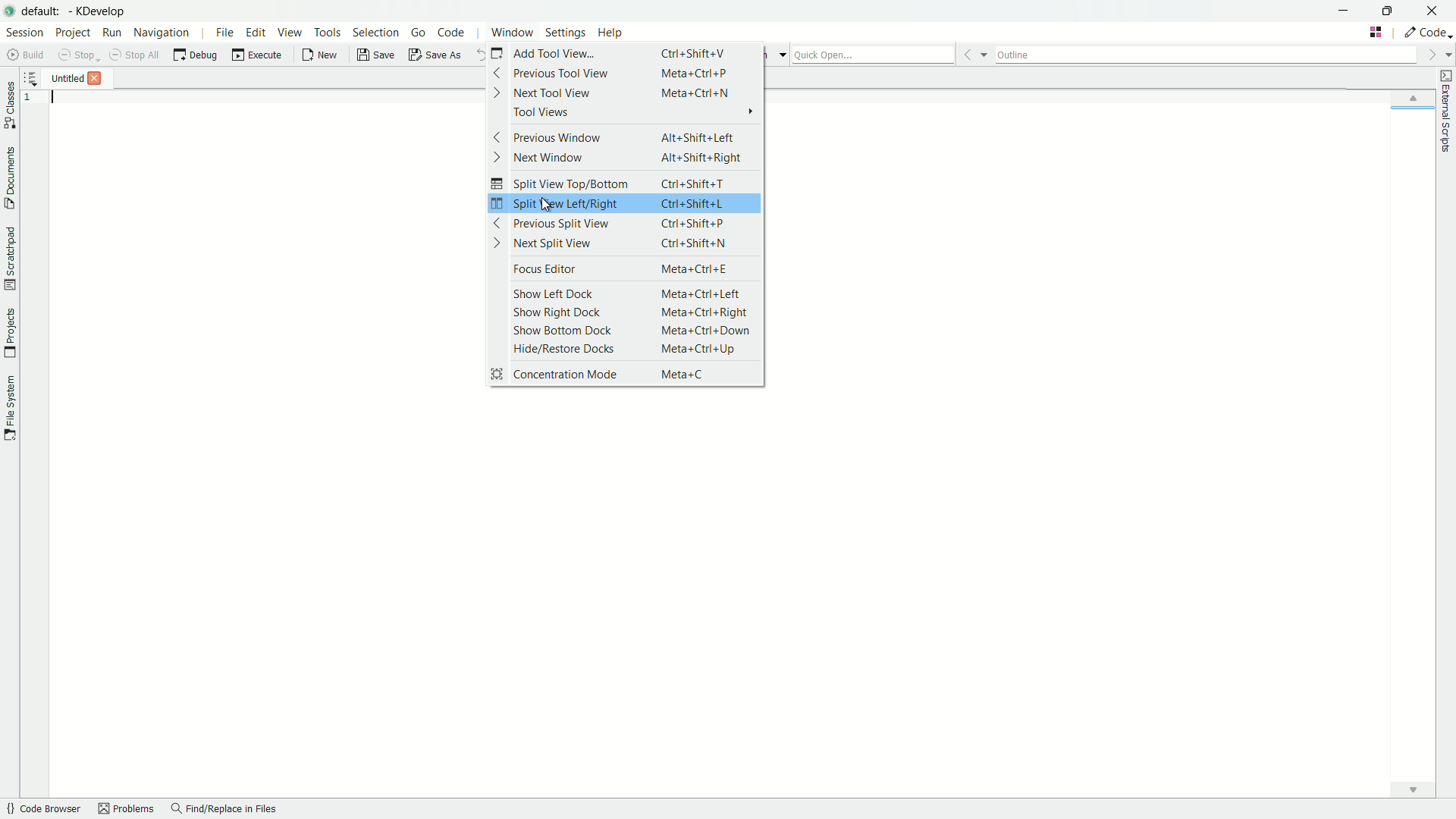  What do you see at coordinates (703, 309) in the screenshot?
I see `meta+Ctrl+Right` at bounding box center [703, 309].